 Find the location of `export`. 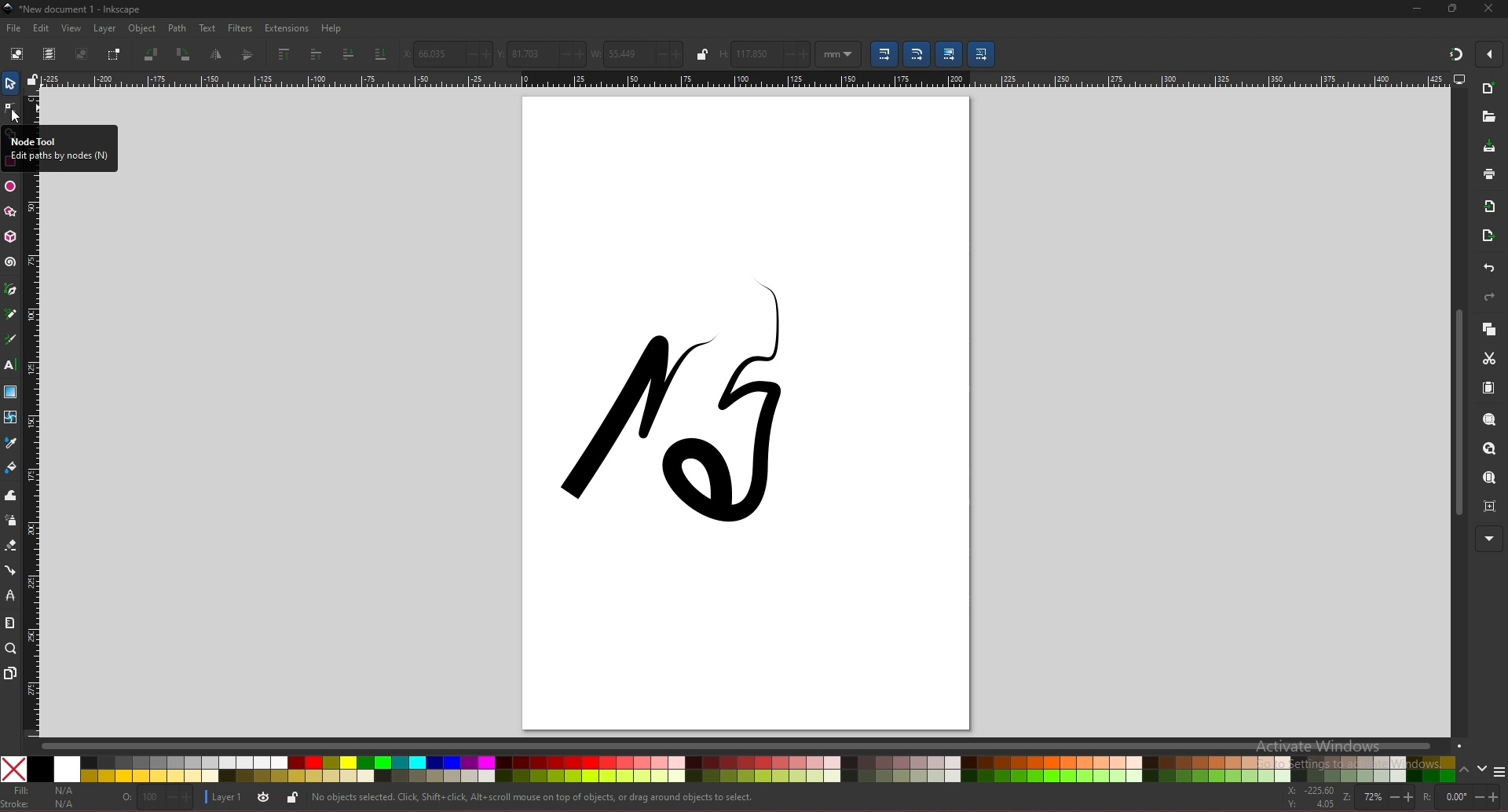

export is located at coordinates (1489, 235).